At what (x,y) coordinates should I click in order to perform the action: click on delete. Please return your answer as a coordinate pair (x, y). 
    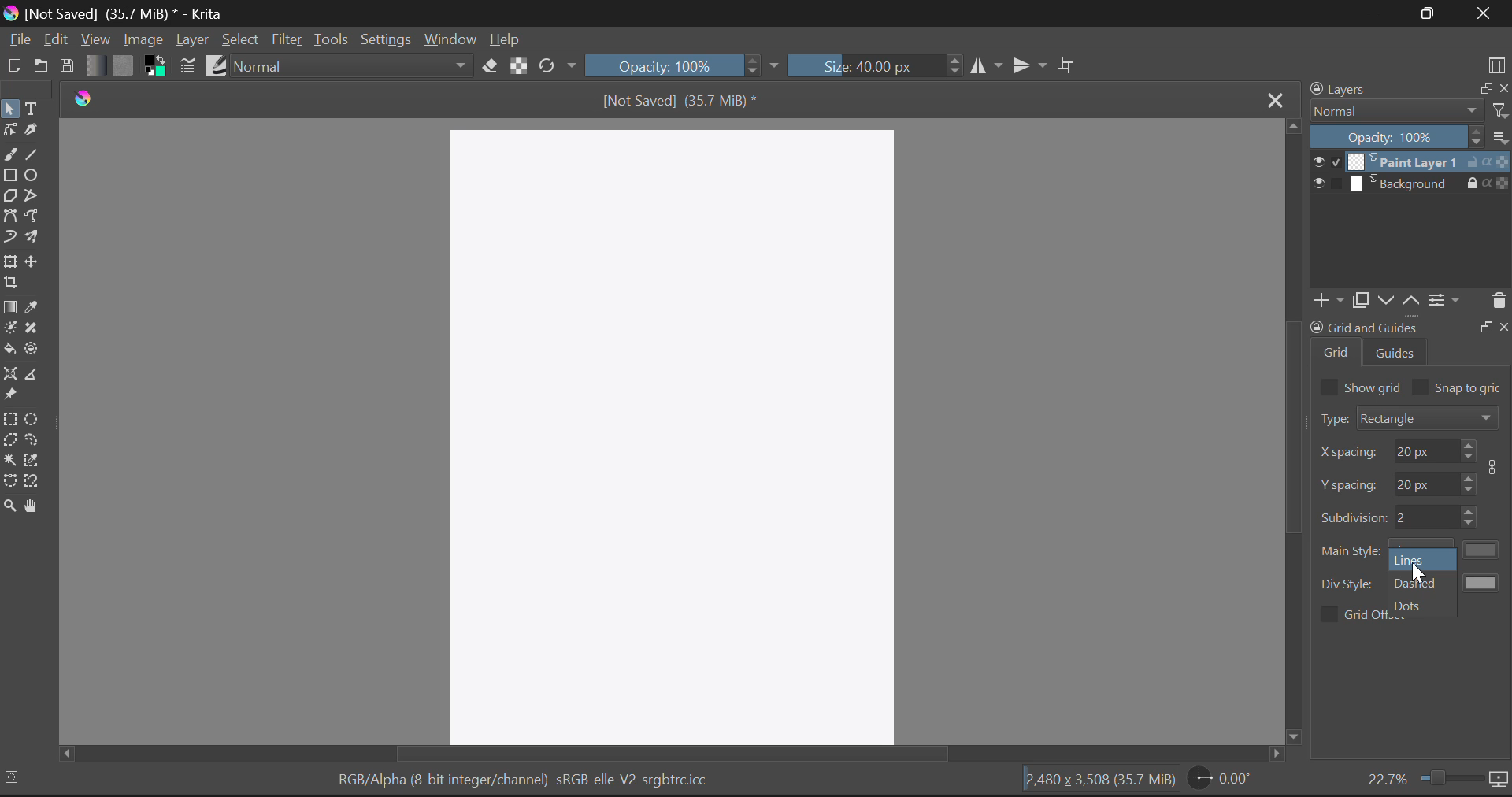
    Looking at the image, I should click on (1498, 301).